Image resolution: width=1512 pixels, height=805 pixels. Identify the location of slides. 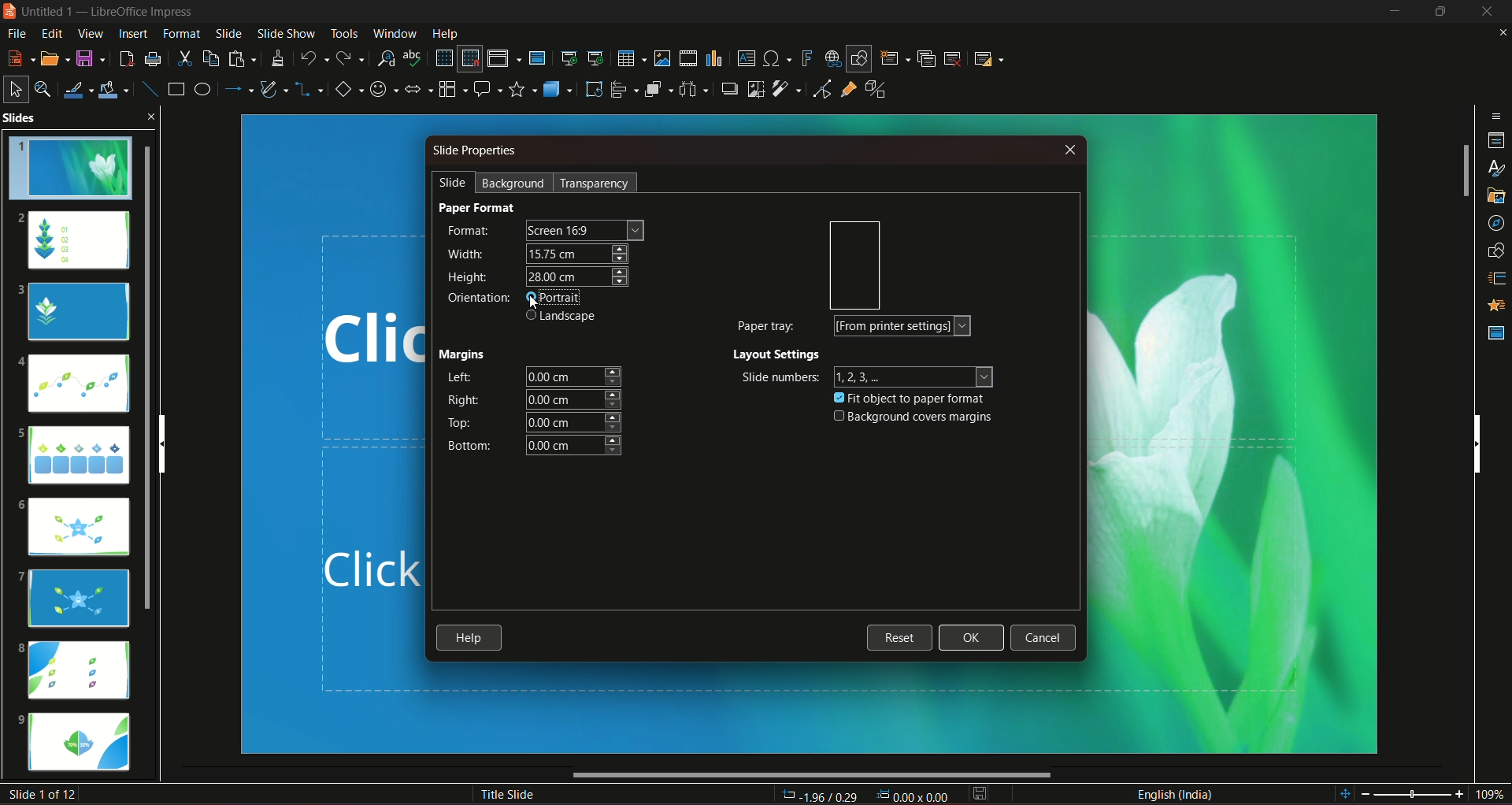
(65, 119).